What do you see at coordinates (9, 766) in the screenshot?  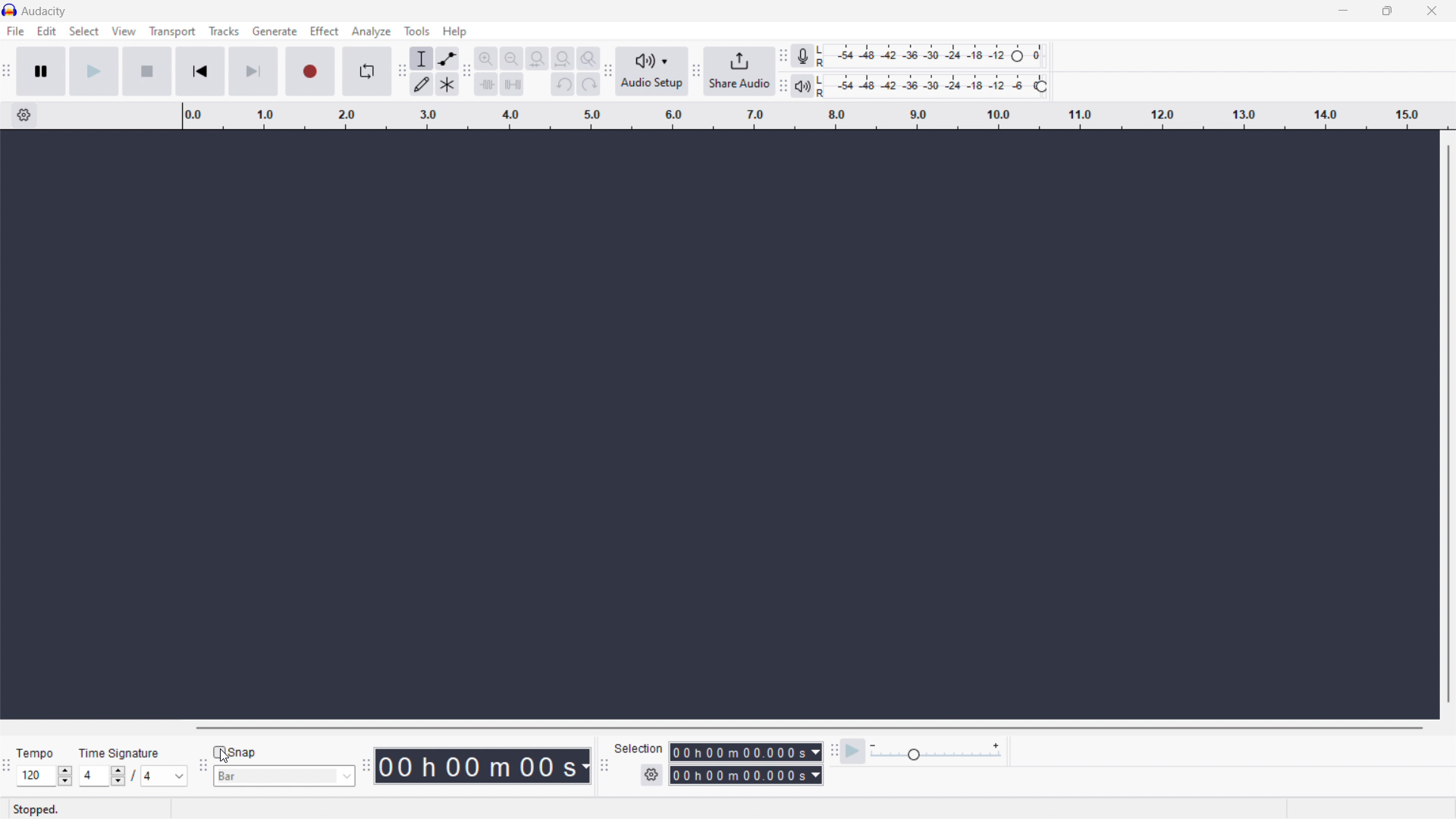 I see `time signature toolbar` at bounding box center [9, 766].